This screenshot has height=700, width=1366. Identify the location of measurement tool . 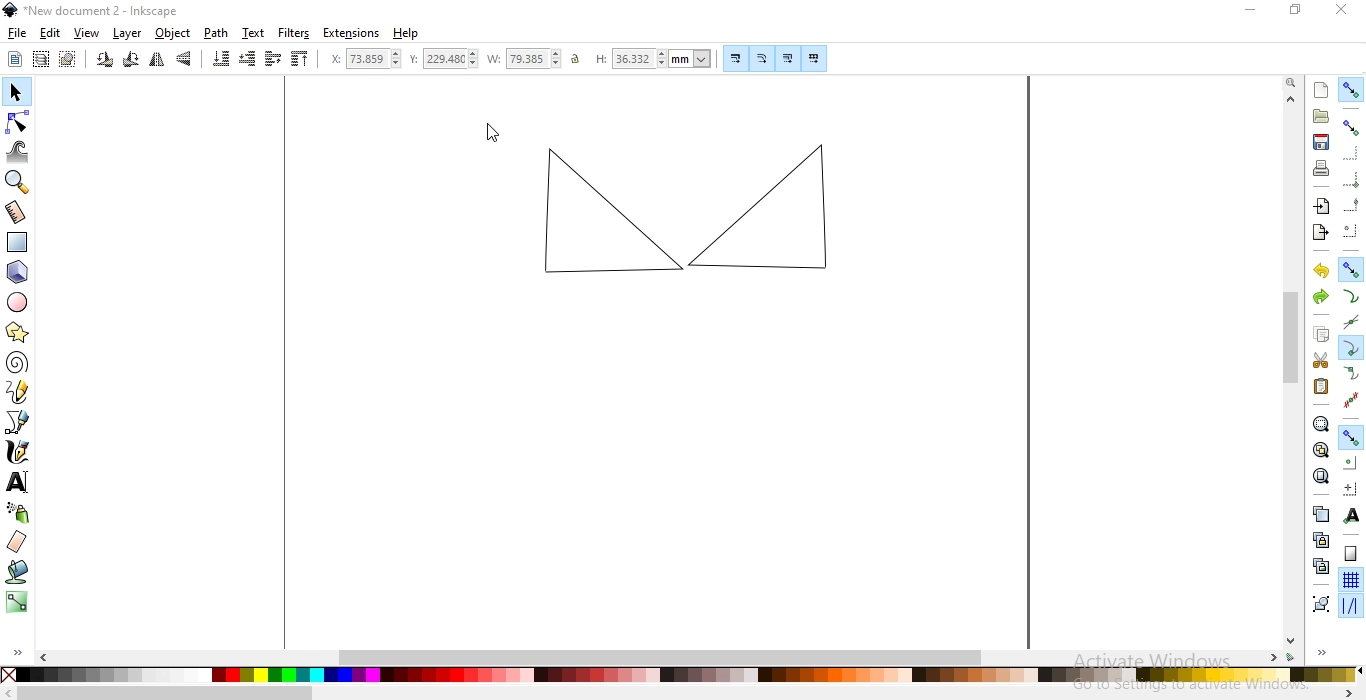
(16, 212).